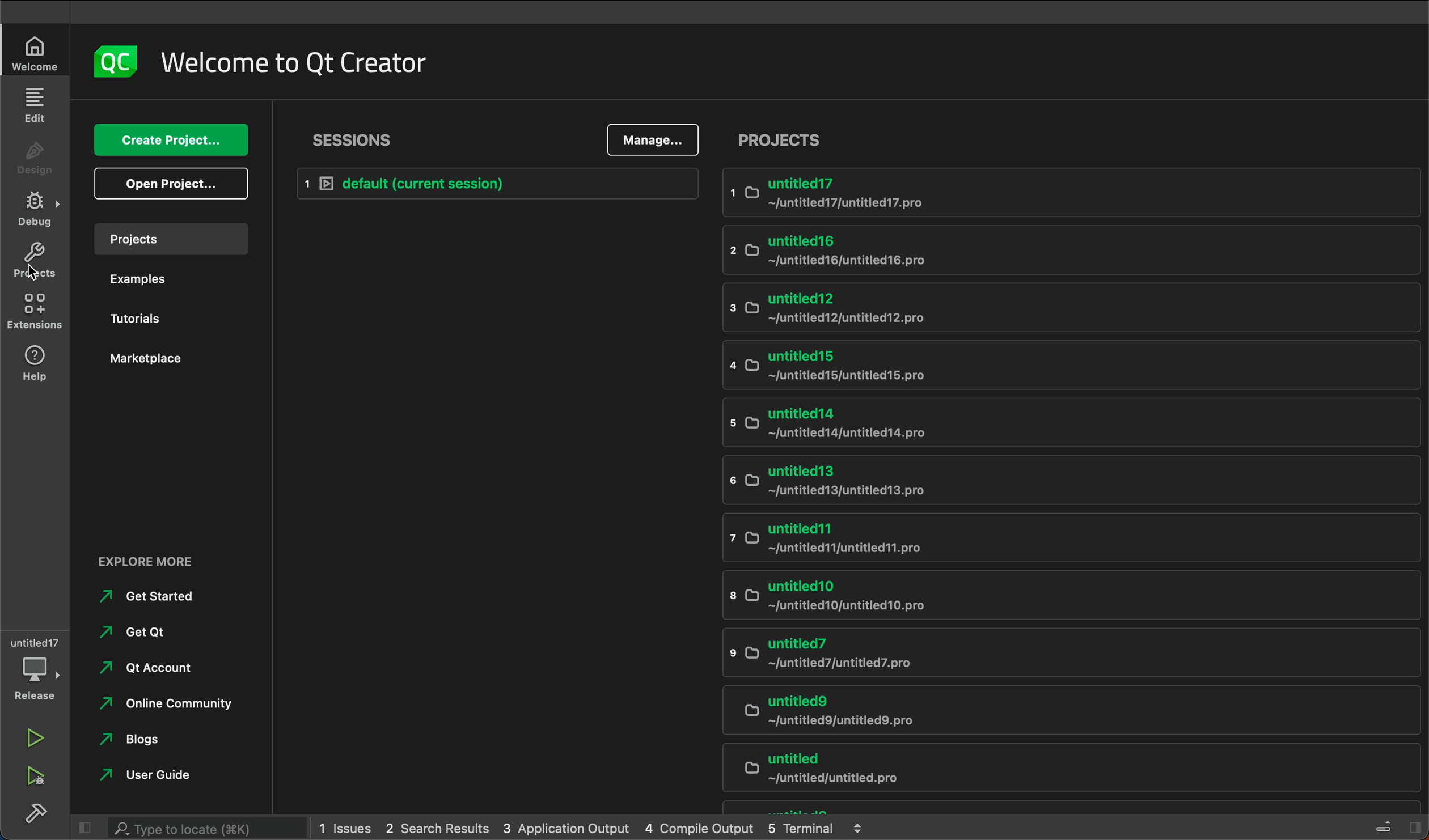 The image size is (1429, 840). Describe the element at coordinates (179, 360) in the screenshot. I see `market place` at that location.